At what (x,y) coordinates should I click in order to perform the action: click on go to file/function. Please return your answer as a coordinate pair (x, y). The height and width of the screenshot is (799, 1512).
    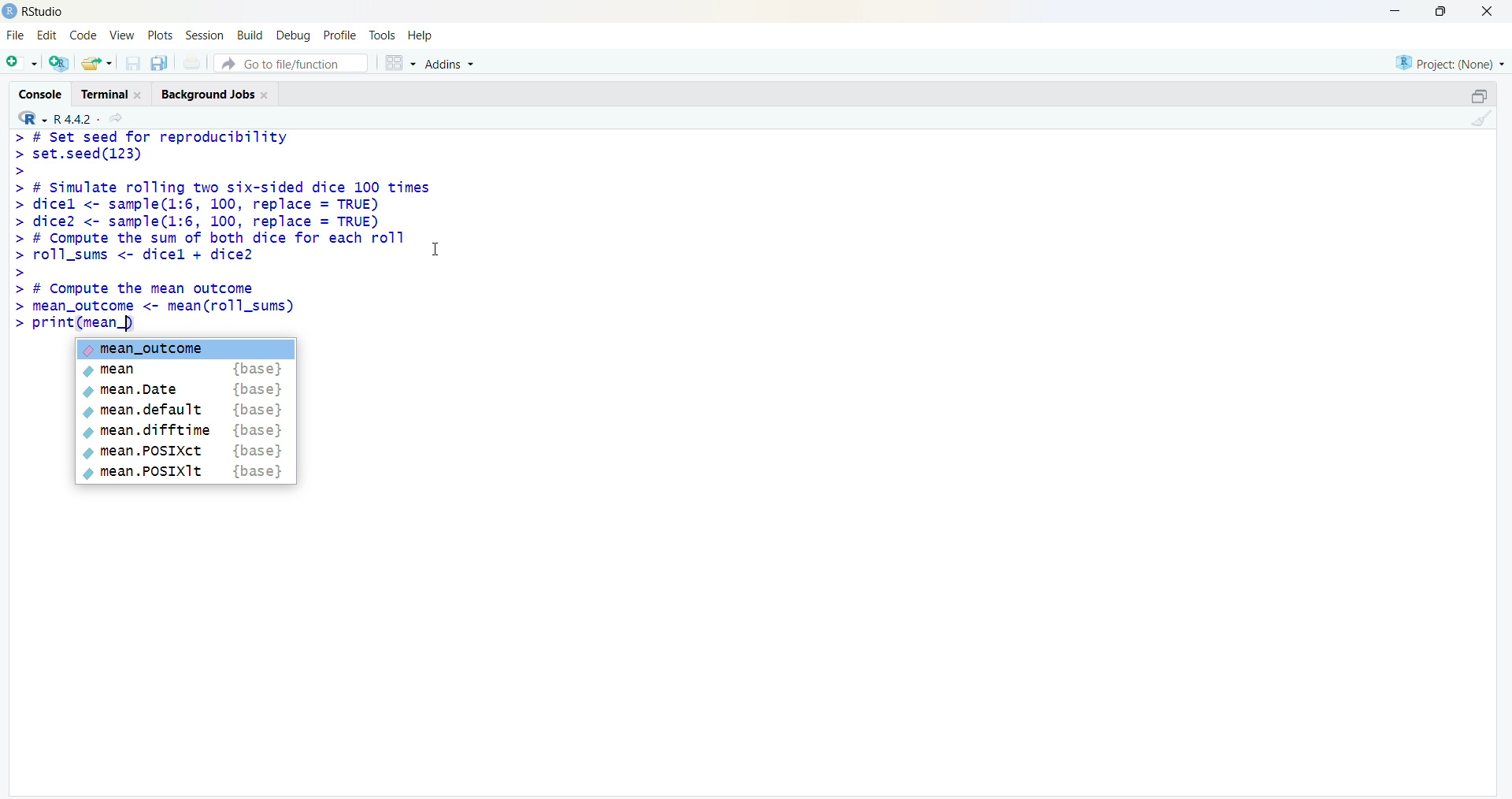
    Looking at the image, I should click on (291, 63).